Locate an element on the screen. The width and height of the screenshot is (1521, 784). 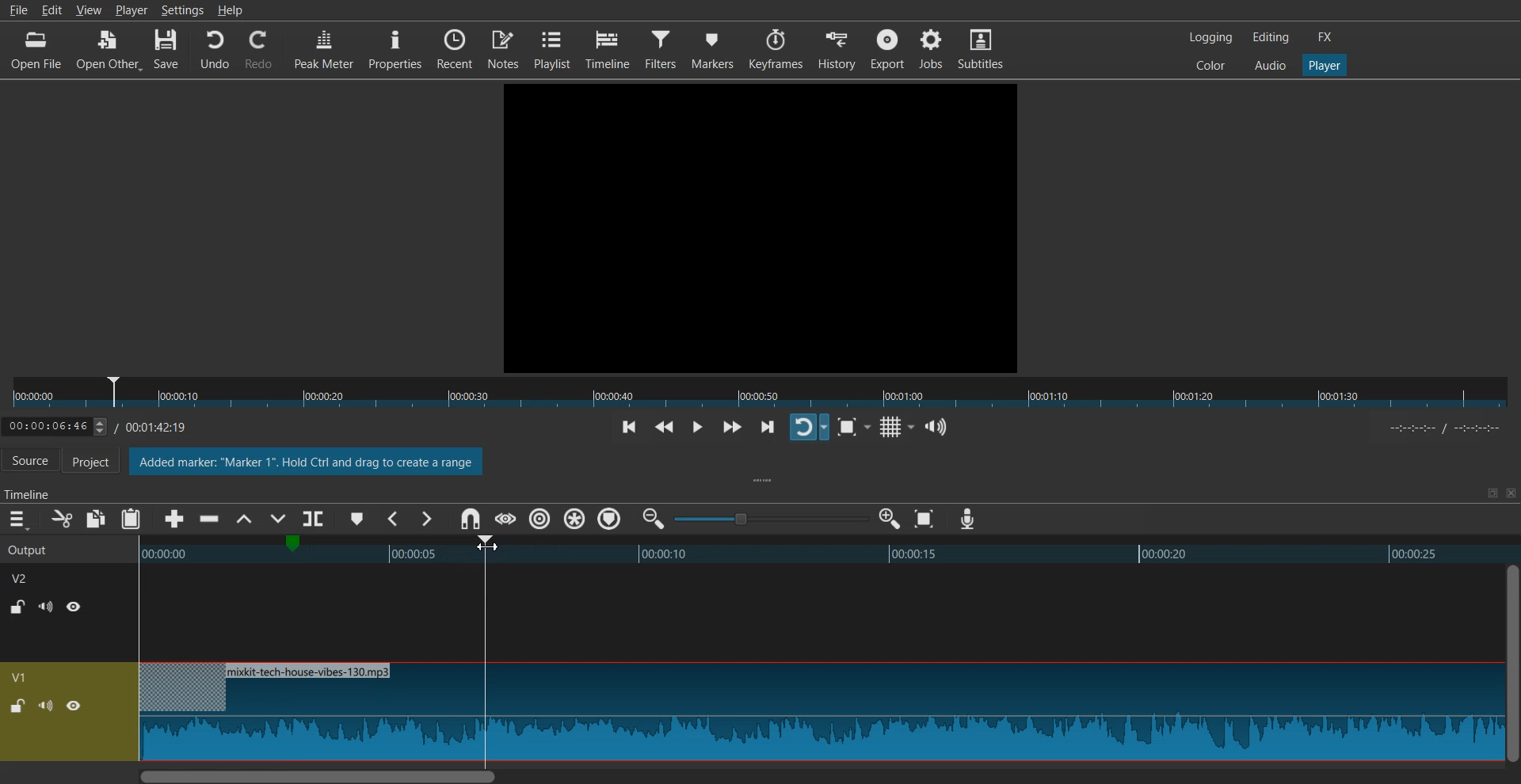
Previous Marker is located at coordinates (395, 519).